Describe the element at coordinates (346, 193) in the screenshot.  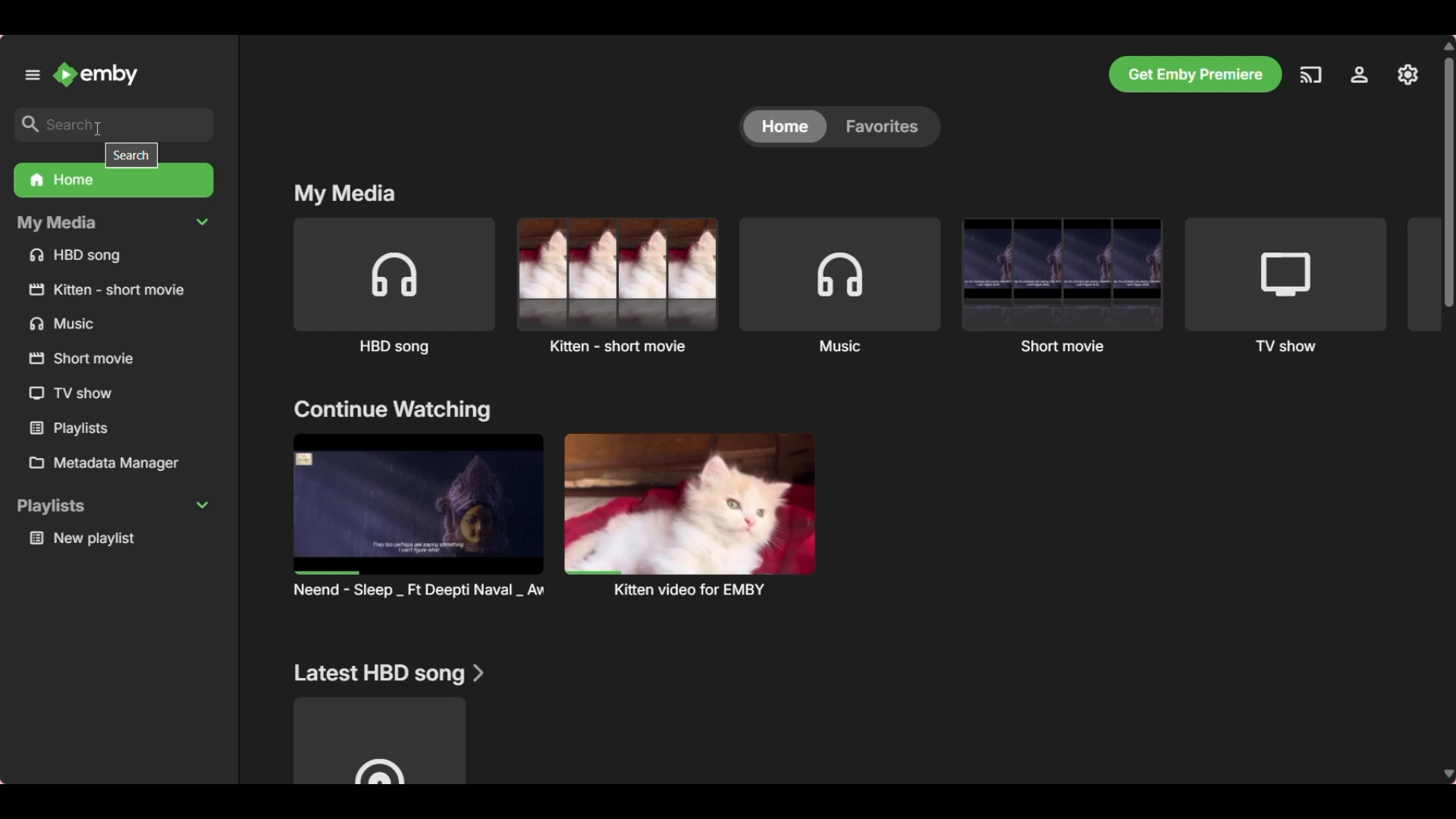
I see `Section title` at that location.